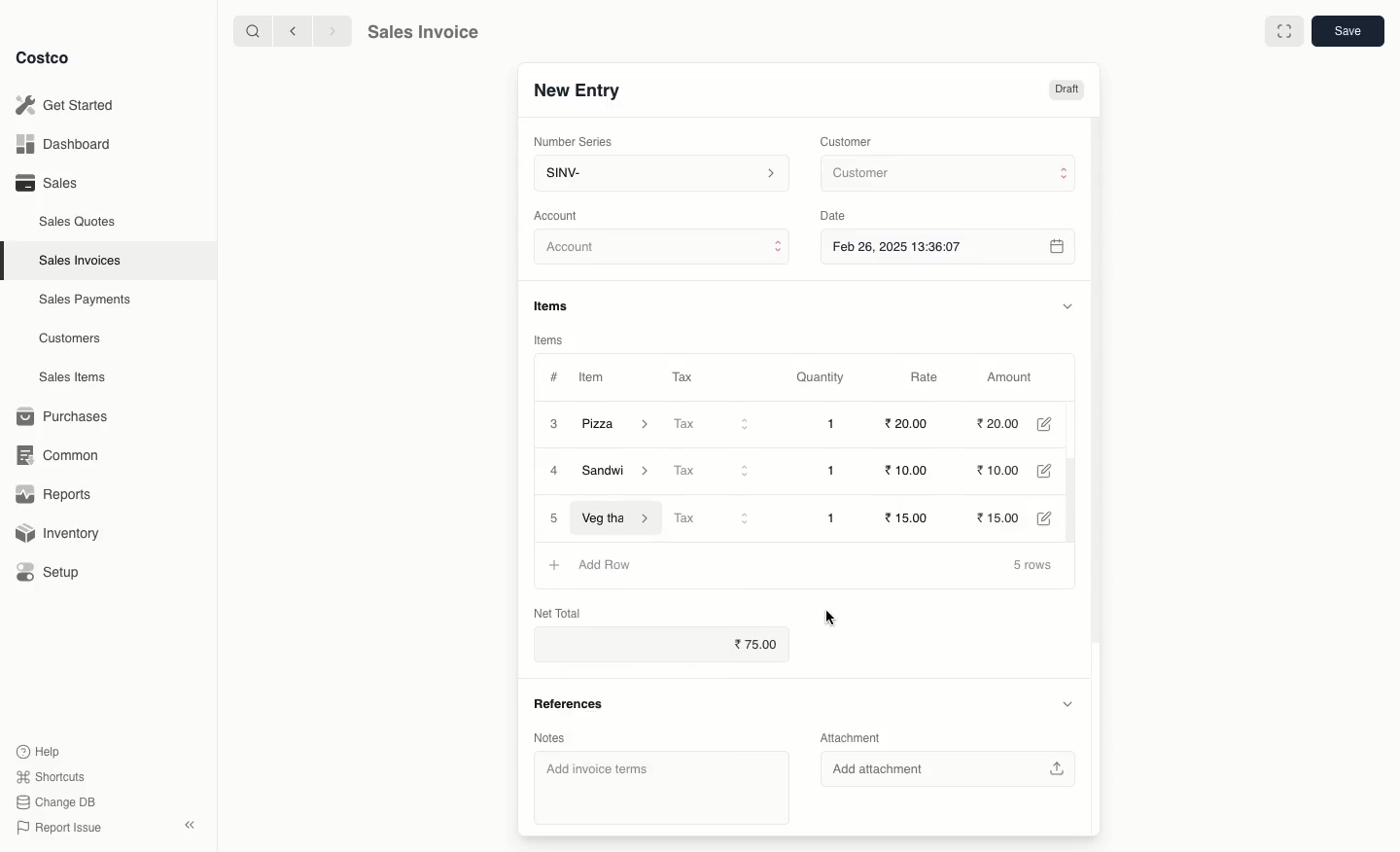 The width and height of the screenshot is (1400, 852). Describe the element at coordinates (852, 739) in the screenshot. I see `Attachment` at that location.